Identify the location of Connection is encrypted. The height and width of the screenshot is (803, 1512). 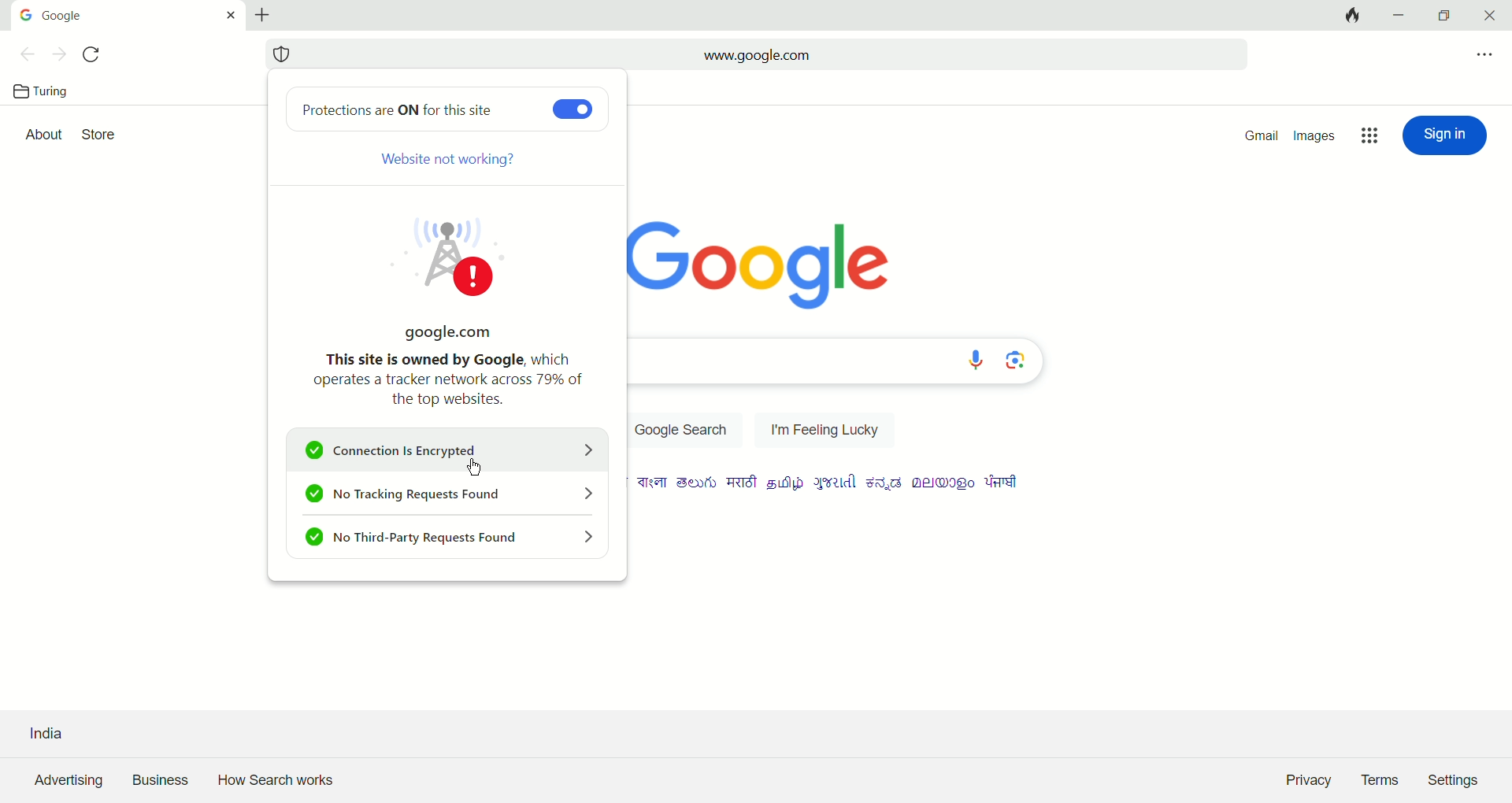
(452, 451).